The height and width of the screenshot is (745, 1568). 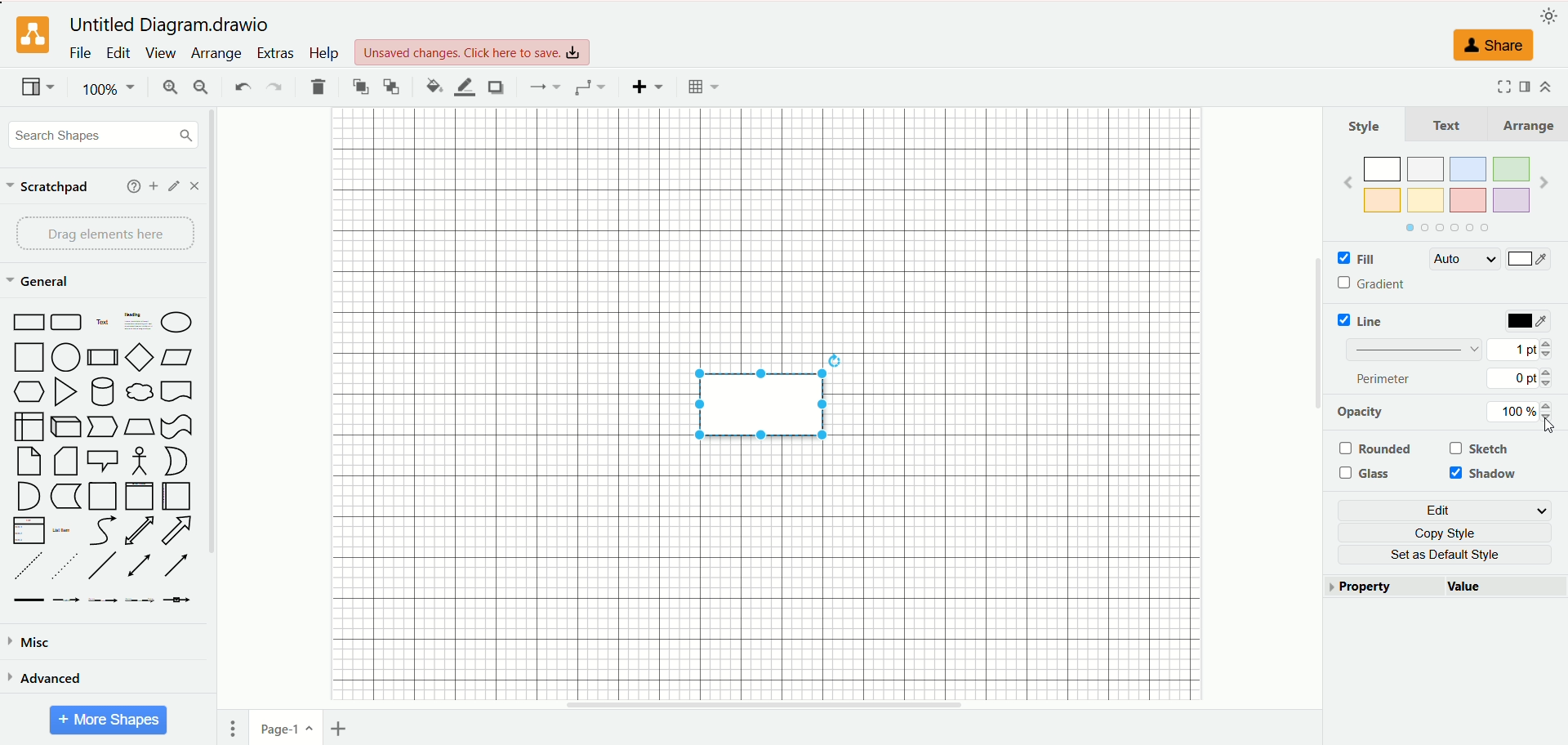 I want to click on vertical scroll bar, so click(x=1316, y=409).